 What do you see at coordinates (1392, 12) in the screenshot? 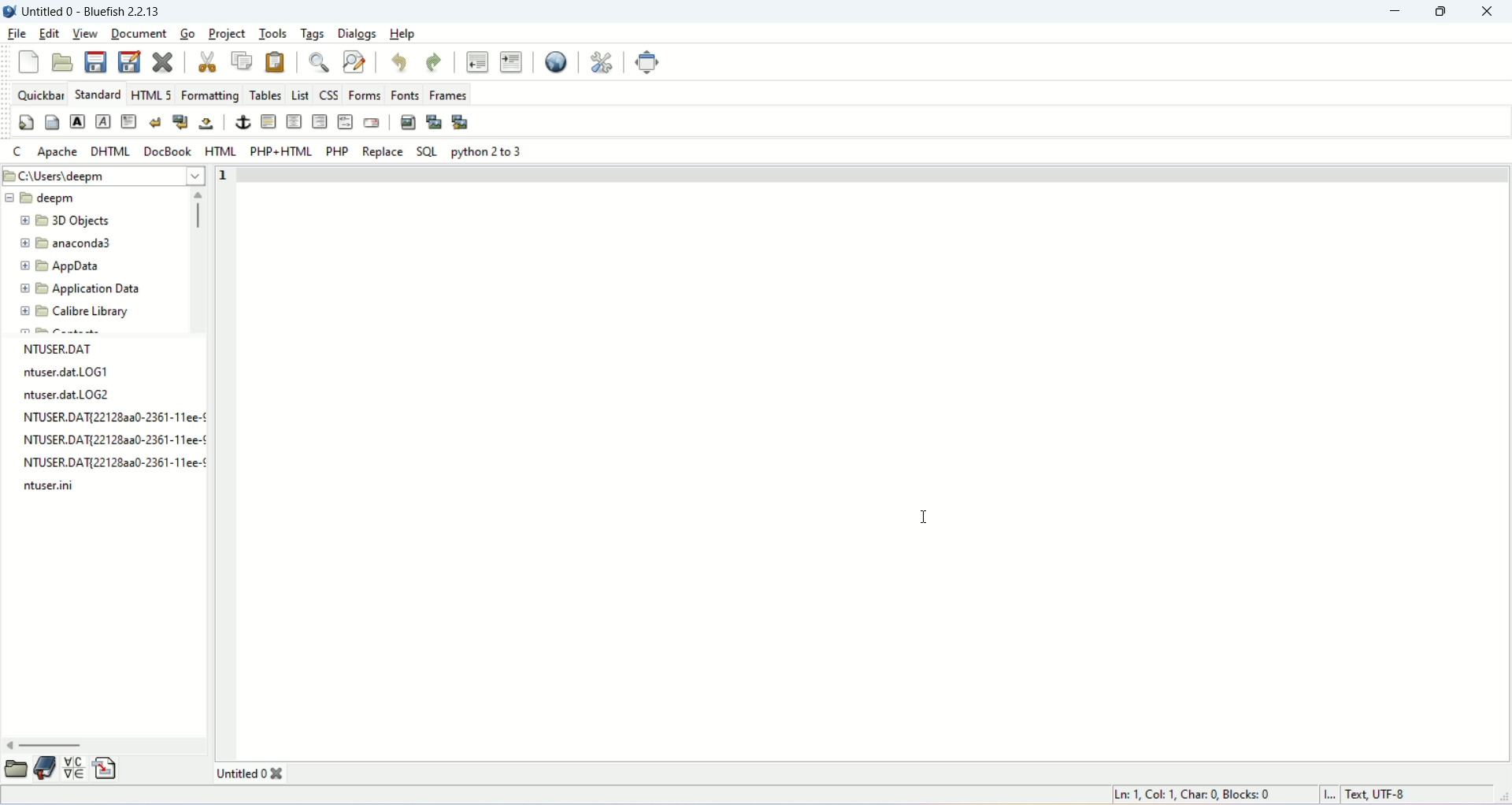
I see `minimize` at bounding box center [1392, 12].